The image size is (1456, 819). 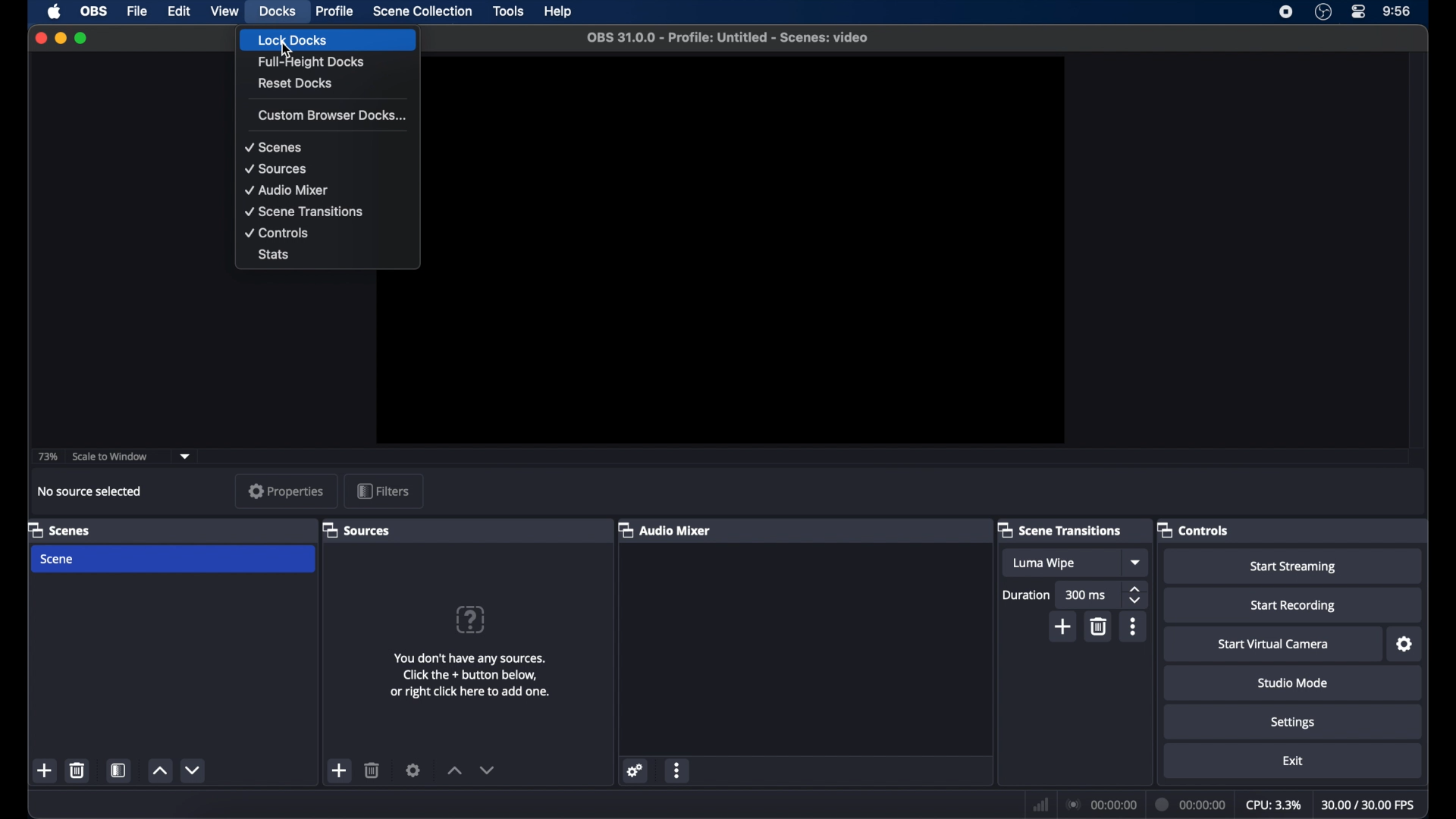 I want to click on maximize, so click(x=80, y=38).